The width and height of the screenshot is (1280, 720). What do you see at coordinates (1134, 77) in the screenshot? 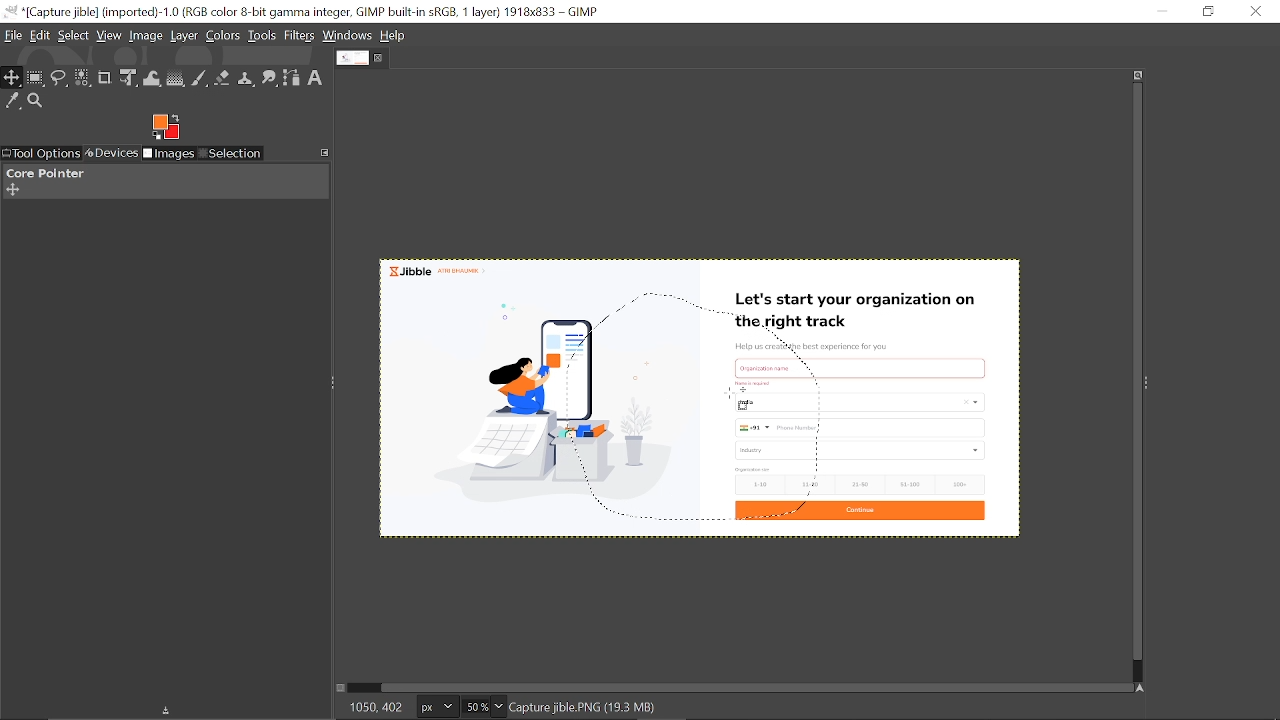
I see `Zoom when window size changes` at bounding box center [1134, 77].